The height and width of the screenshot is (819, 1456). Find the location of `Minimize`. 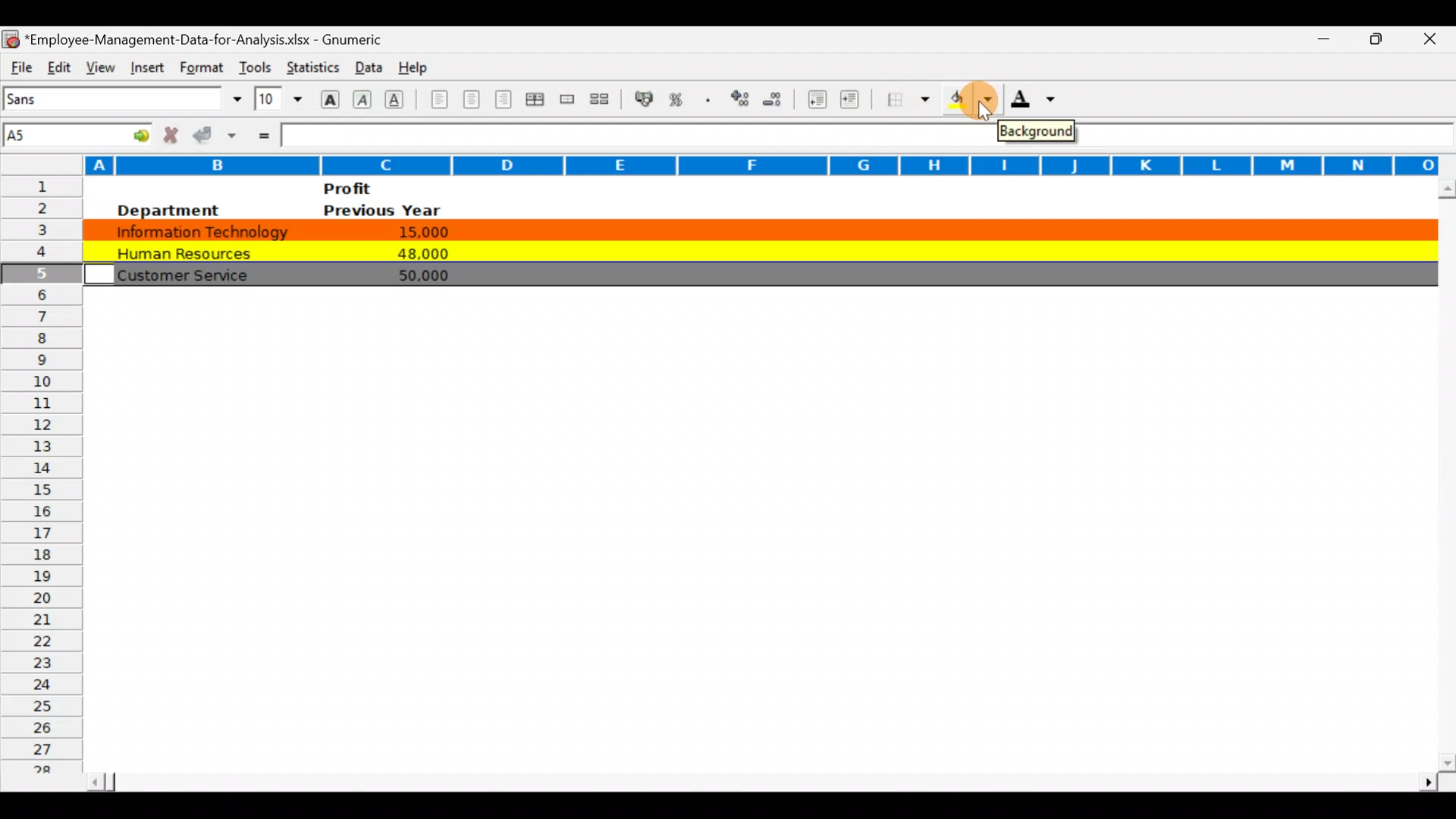

Minimize is located at coordinates (1315, 39).